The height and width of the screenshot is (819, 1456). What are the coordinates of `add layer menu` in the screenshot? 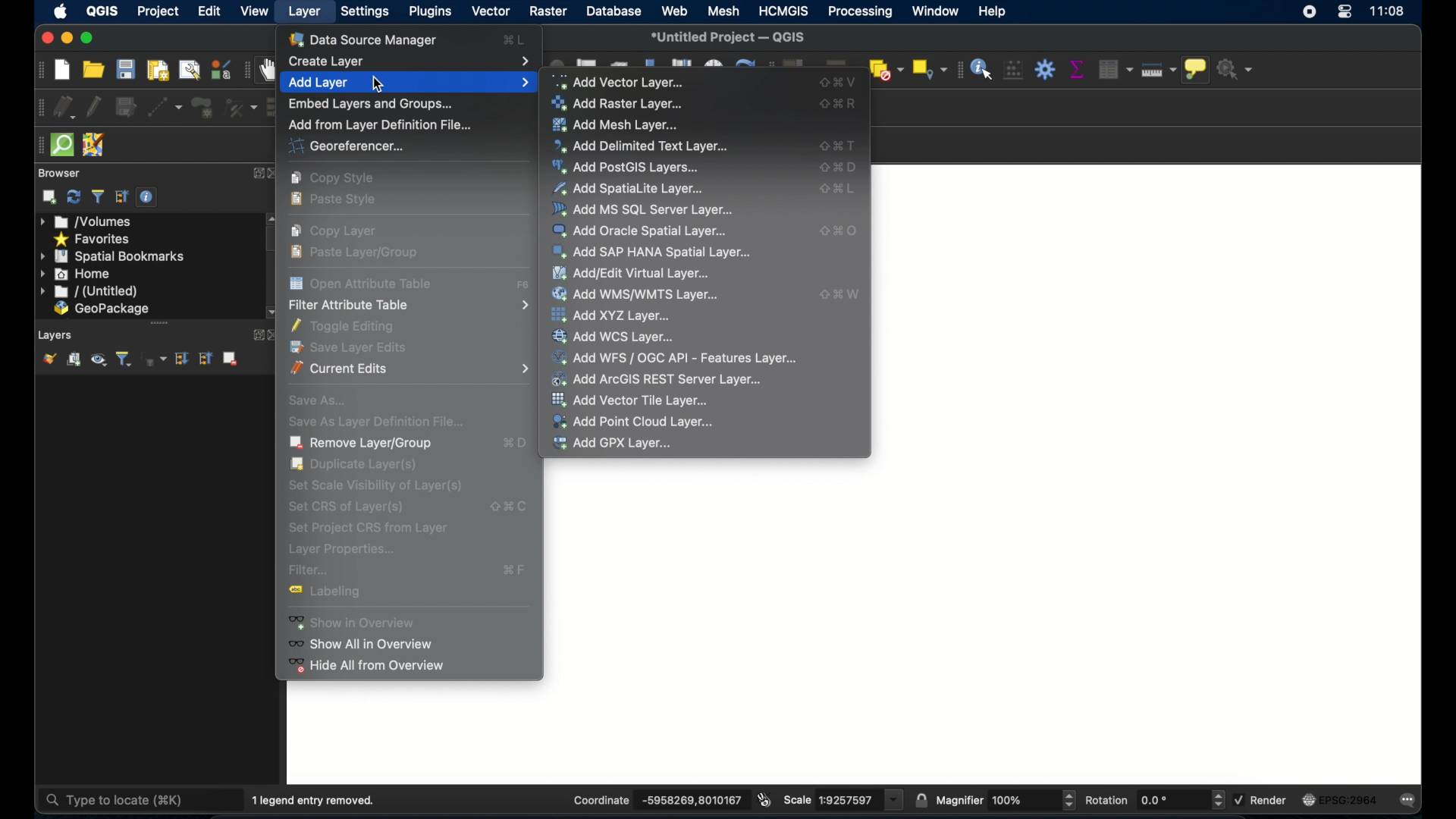 It's located at (408, 82).